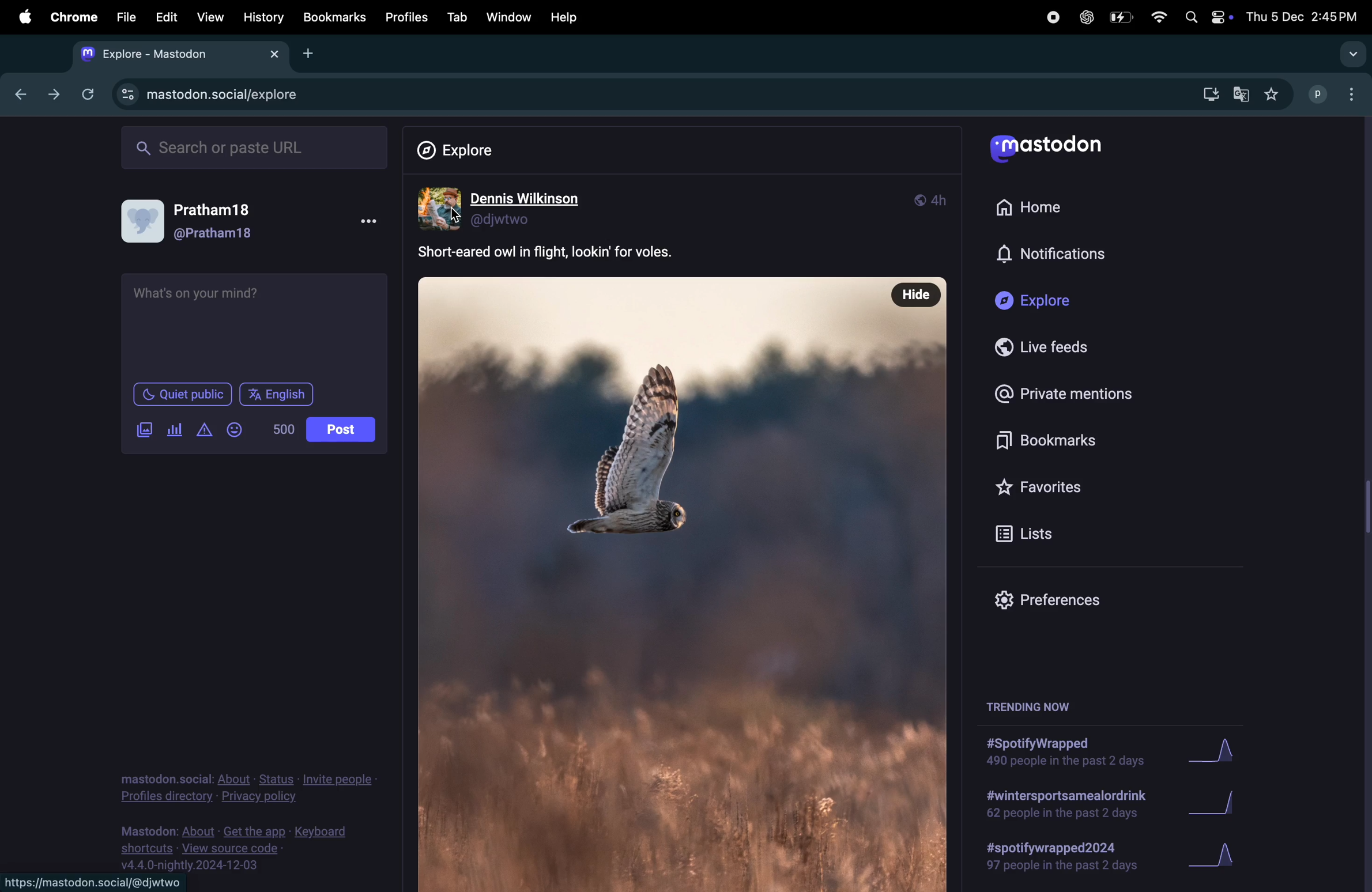 The image size is (1372, 892). What do you see at coordinates (1044, 488) in the screenshot?
I see `favourites` at bounding box center [1044, 488].